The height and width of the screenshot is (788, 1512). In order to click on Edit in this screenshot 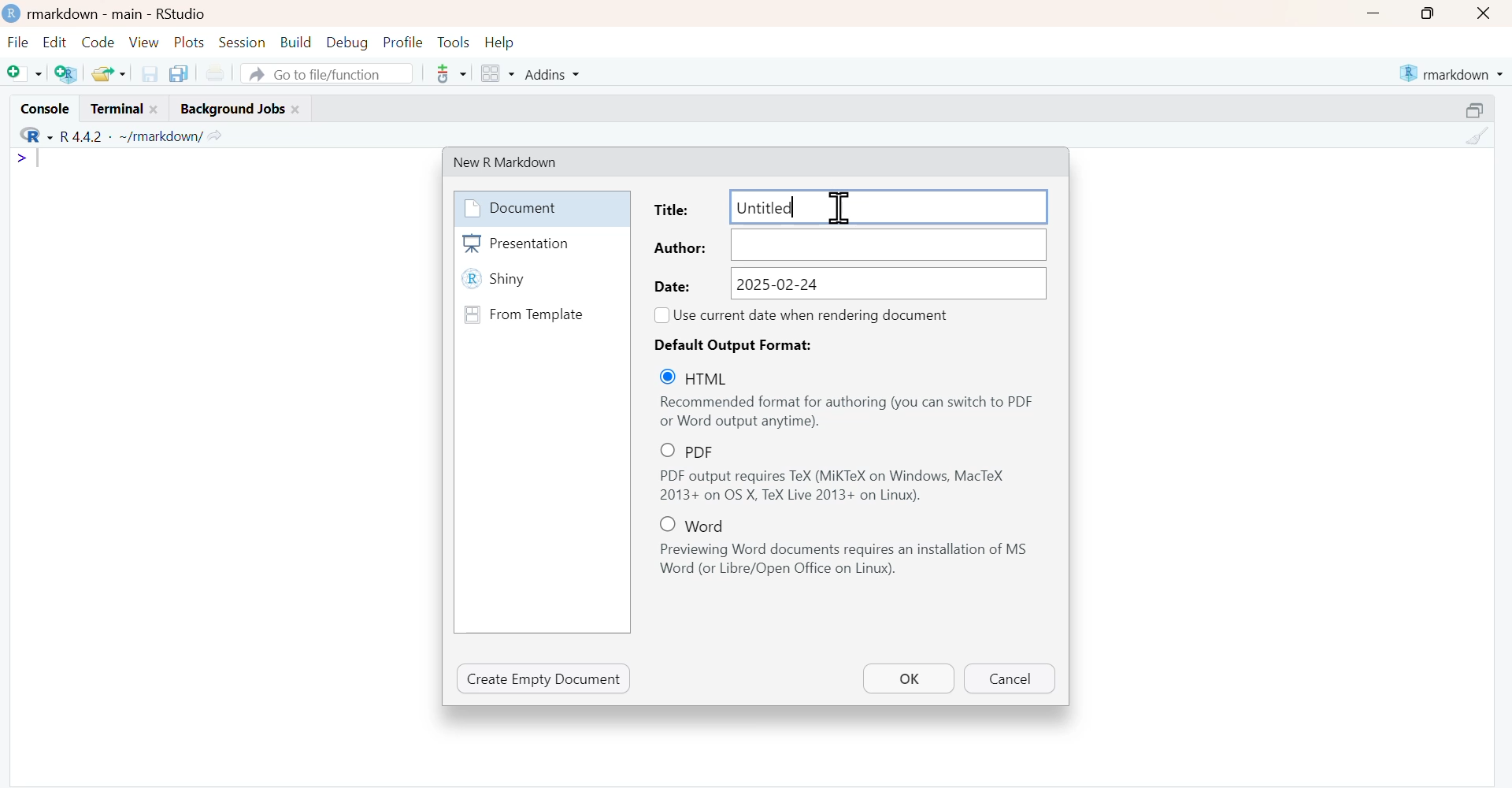, I will do `click(54, 43)`.